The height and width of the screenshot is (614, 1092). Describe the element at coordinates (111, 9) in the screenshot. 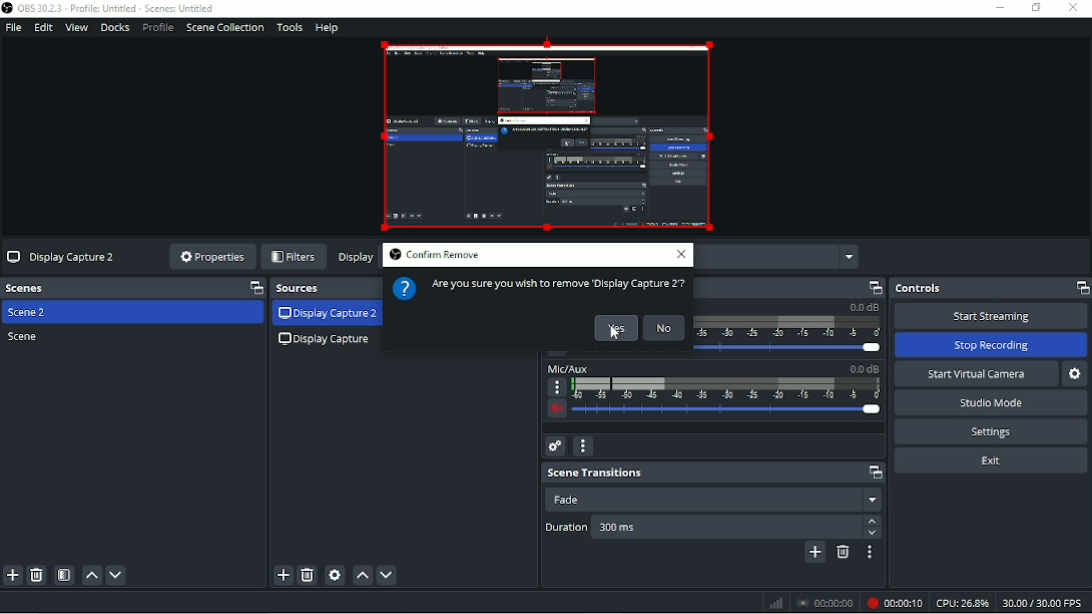

I see `Title` at that location.